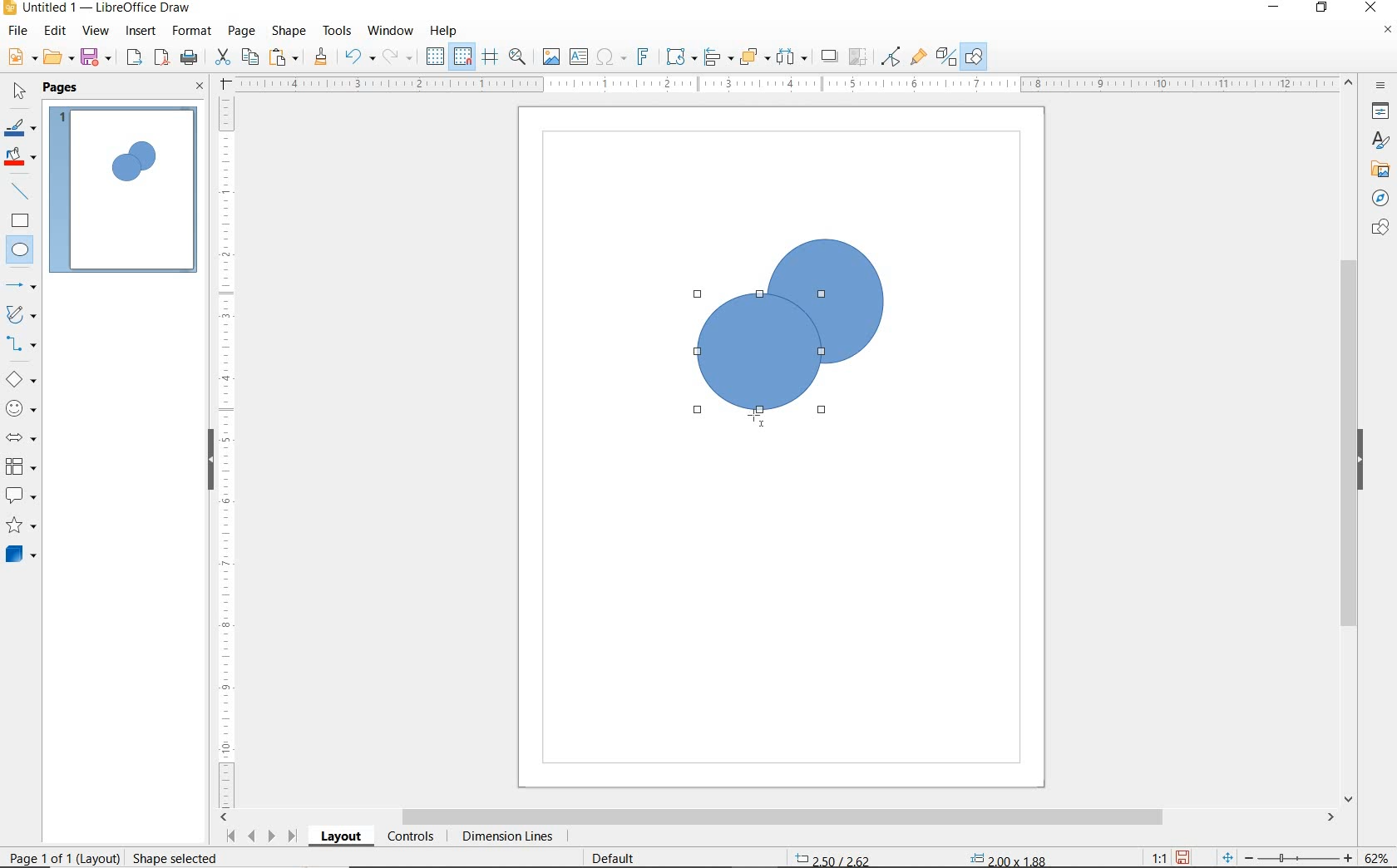 The height and width of the screenshot is (868, 1397). What do you see at coordinates (200, 87) in the screenshot?
I see `CLOSE` at bounding box center [200, 87].